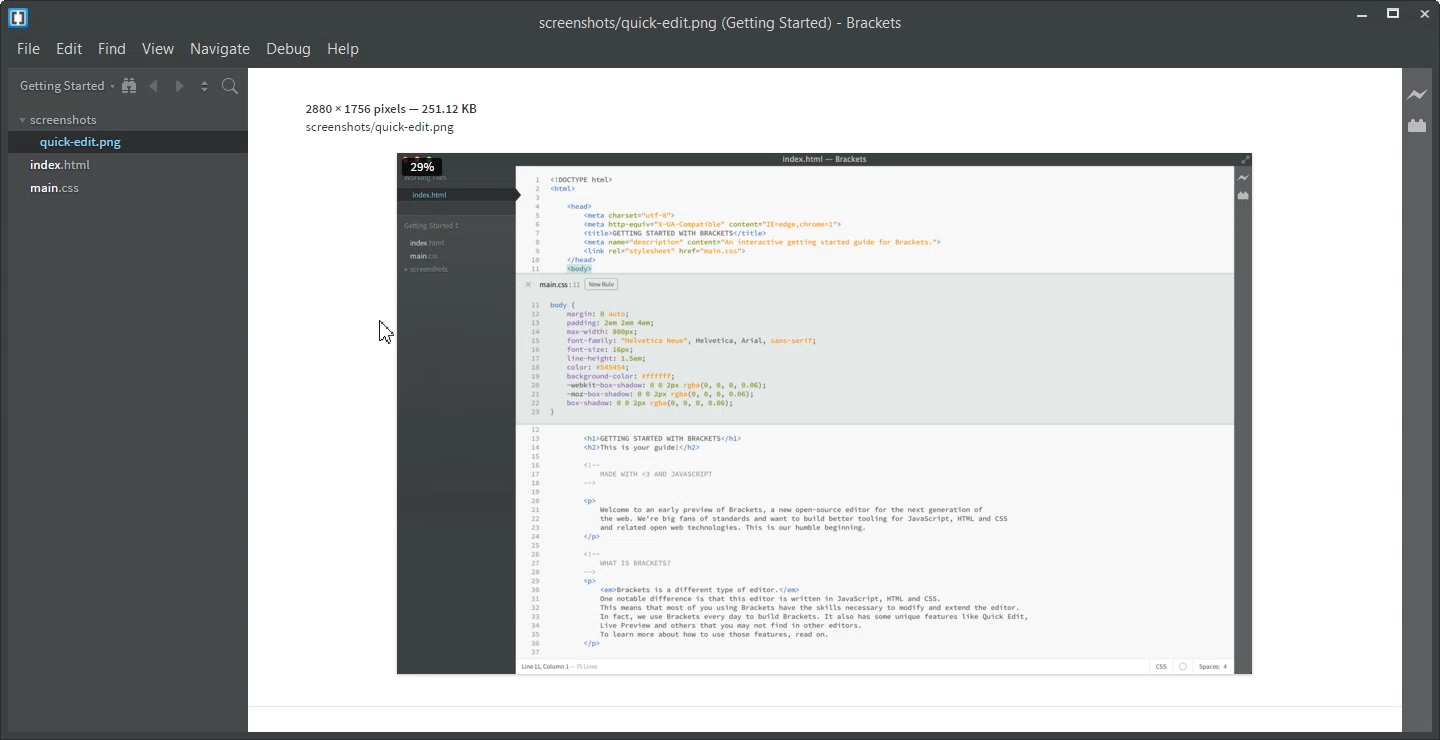  What do you see at coordinates (130, 87) in the screenshot?
I see `Show in the file Tree` at bounding box center [130, 87].